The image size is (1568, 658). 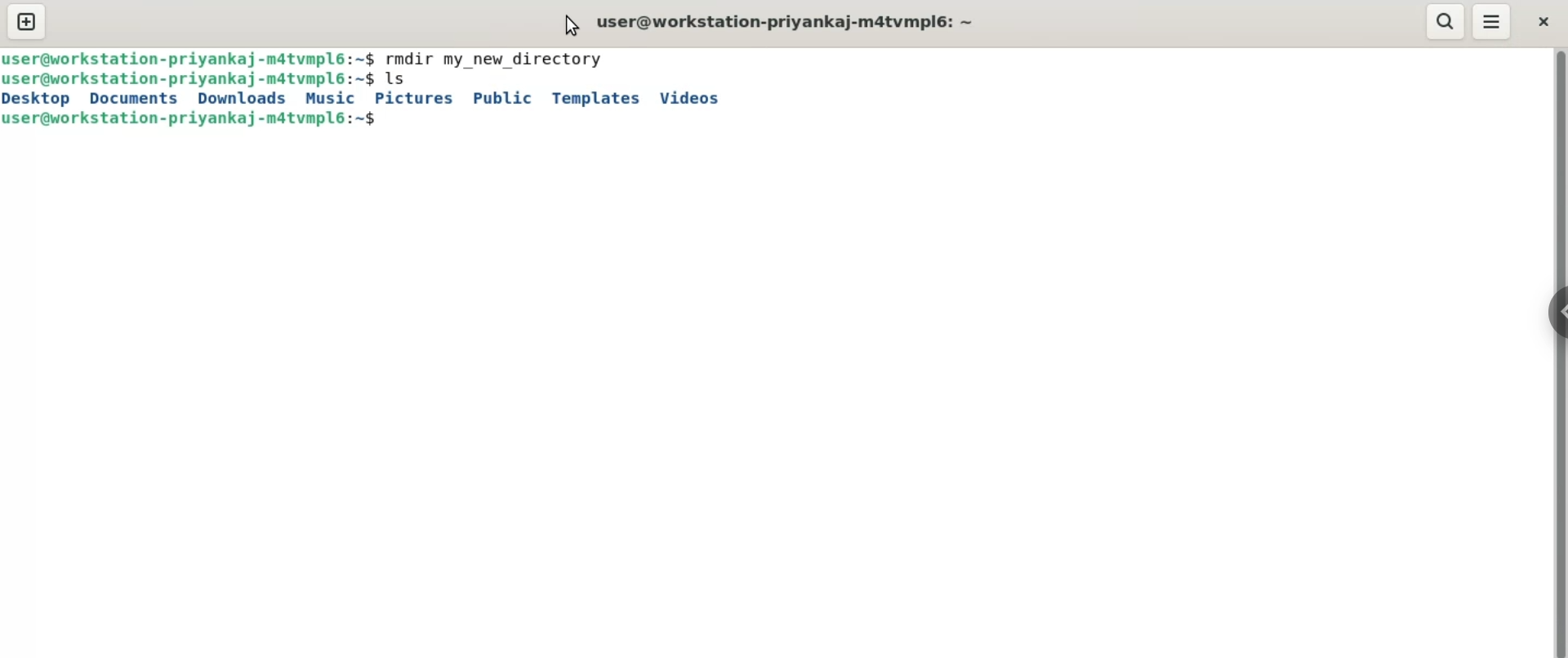 What do you see at coordinates (237, 98) in the screenshot?
I see `downloads` at bounding box center [237, 98].